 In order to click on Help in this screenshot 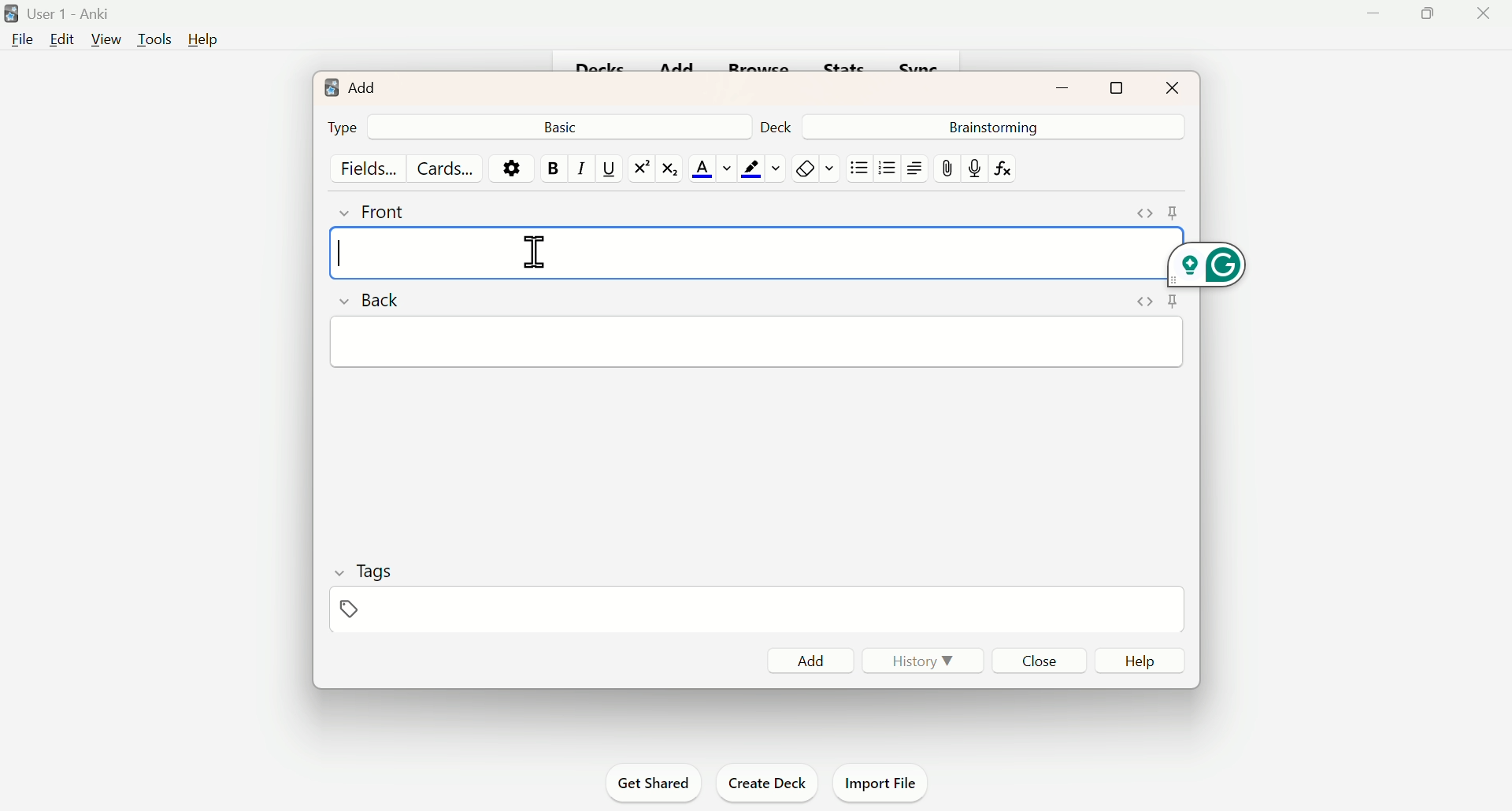, I will do `click(1147, 661)`.